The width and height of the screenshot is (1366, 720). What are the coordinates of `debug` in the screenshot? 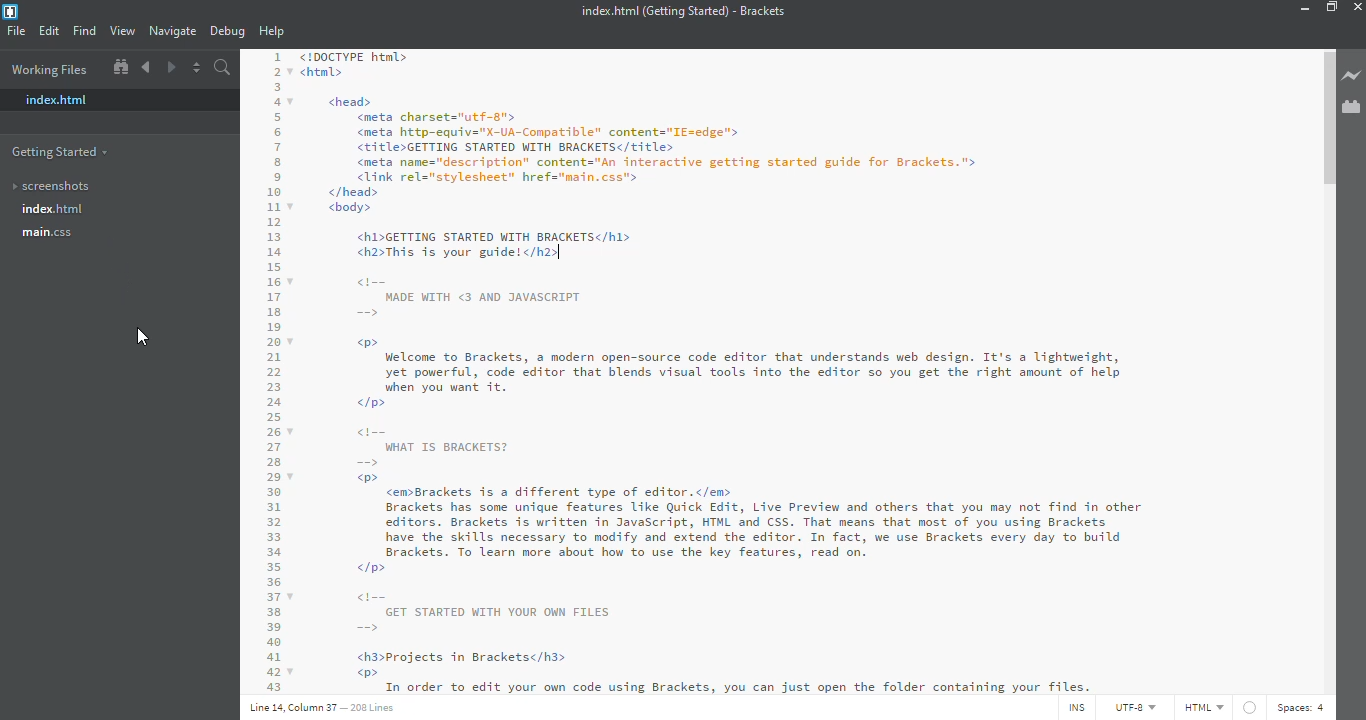 It's located at (226, 32).